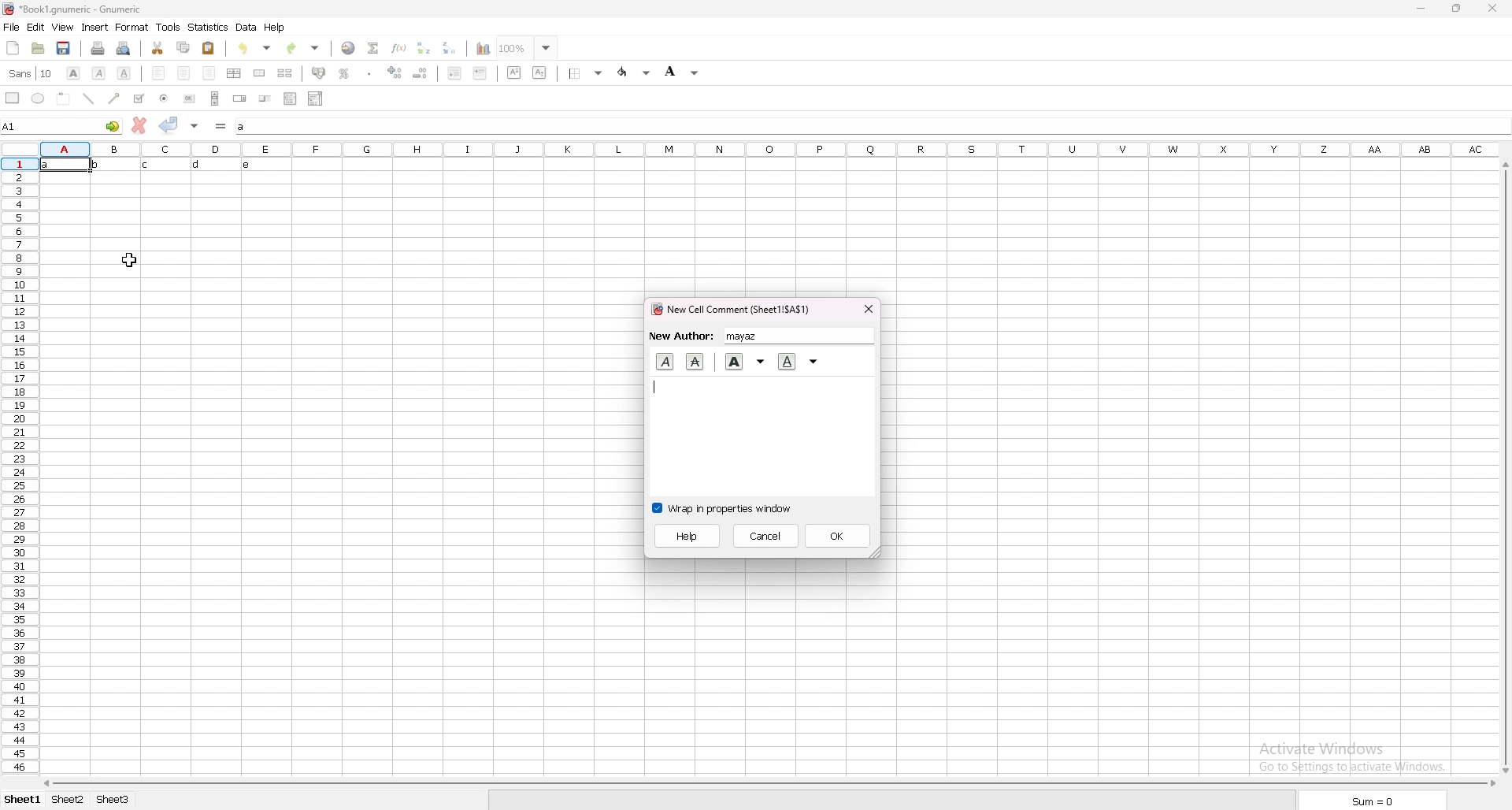 The image size is (1512, 810). Describe the element at coordinates (1373, 802) in the screenshot. I see `sum=0` at that location.